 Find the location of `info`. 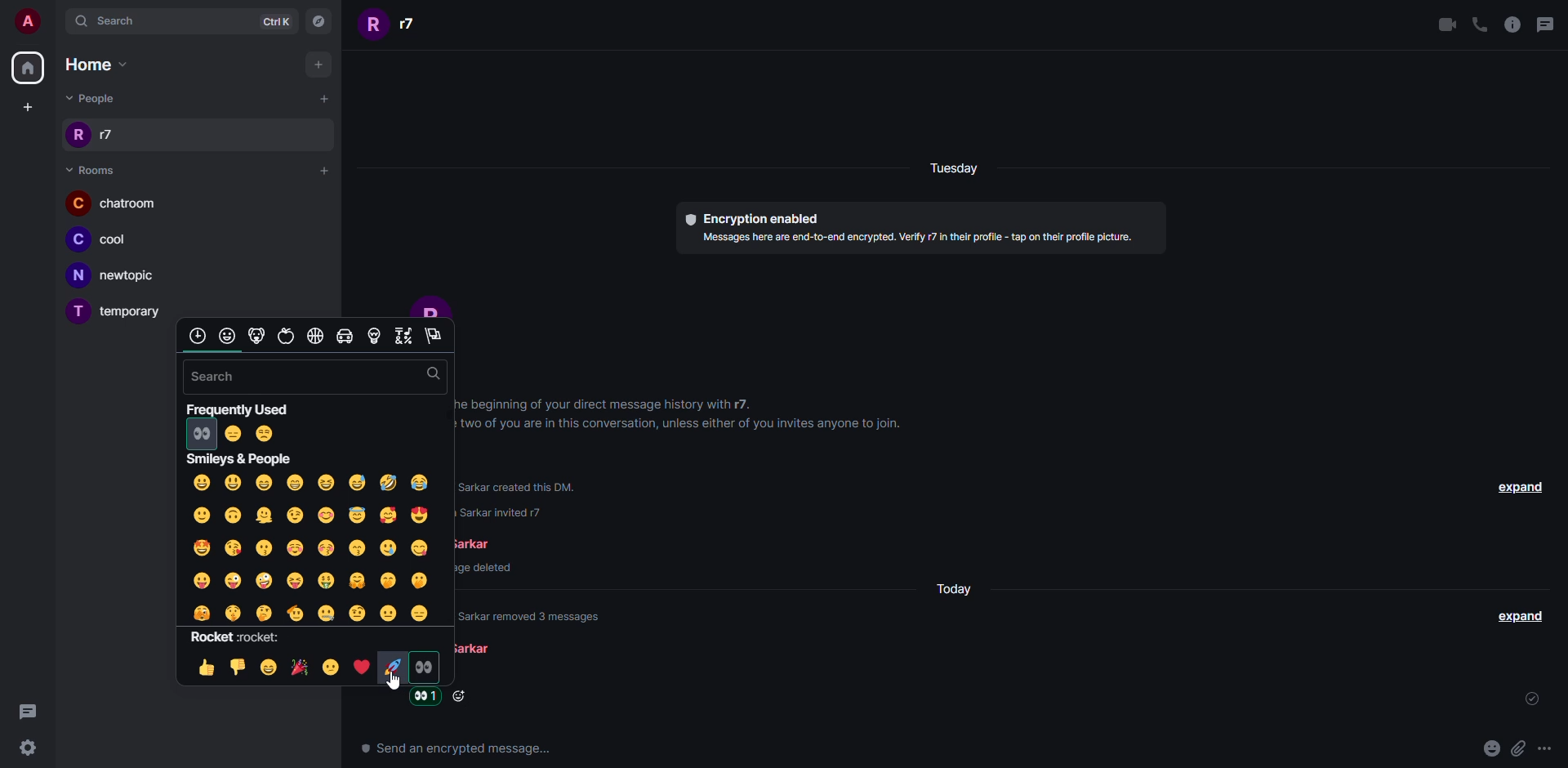

info is located at coordinates (688, 417).